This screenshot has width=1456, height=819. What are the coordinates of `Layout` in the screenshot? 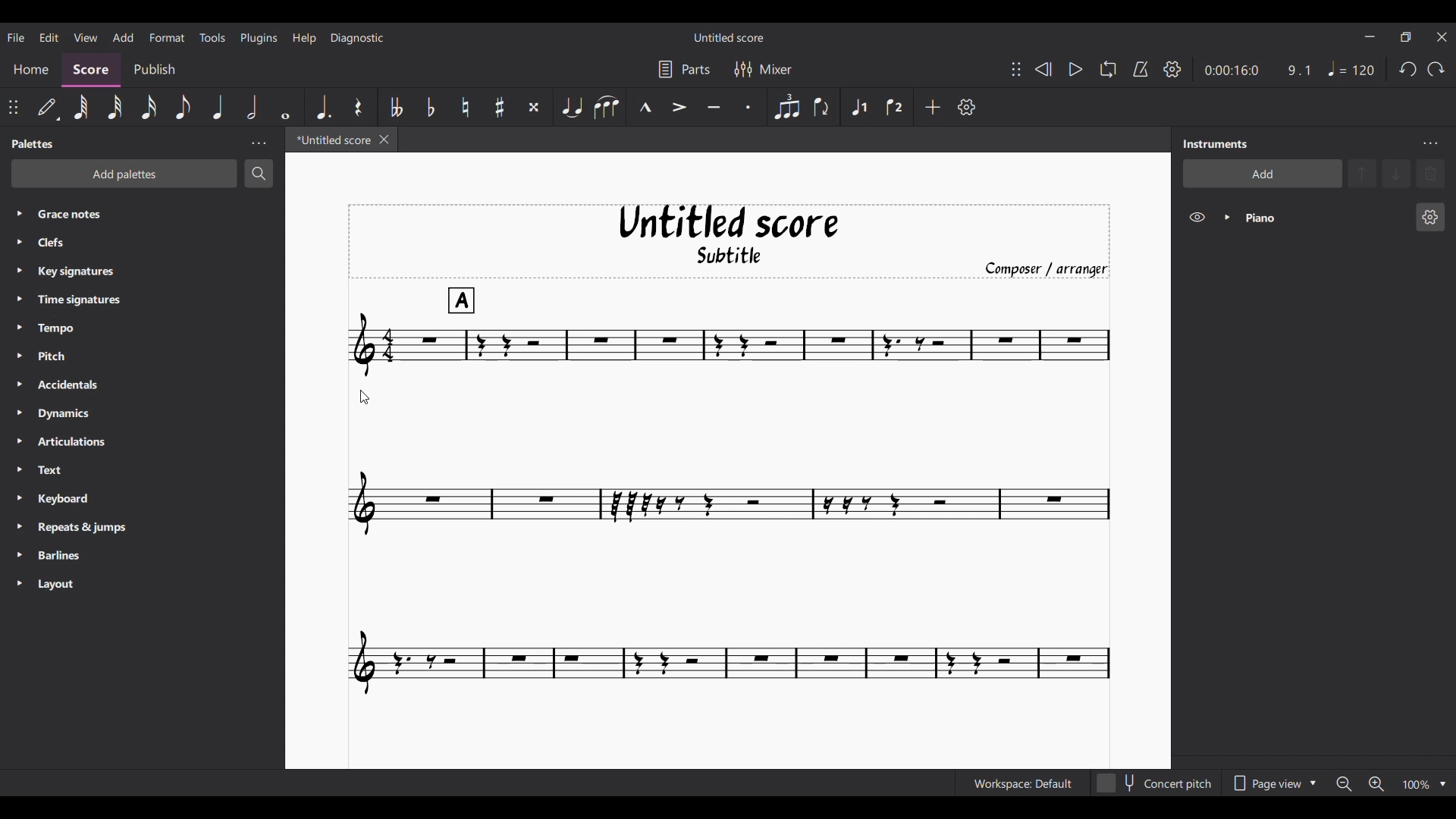 It's located at (79, 585).